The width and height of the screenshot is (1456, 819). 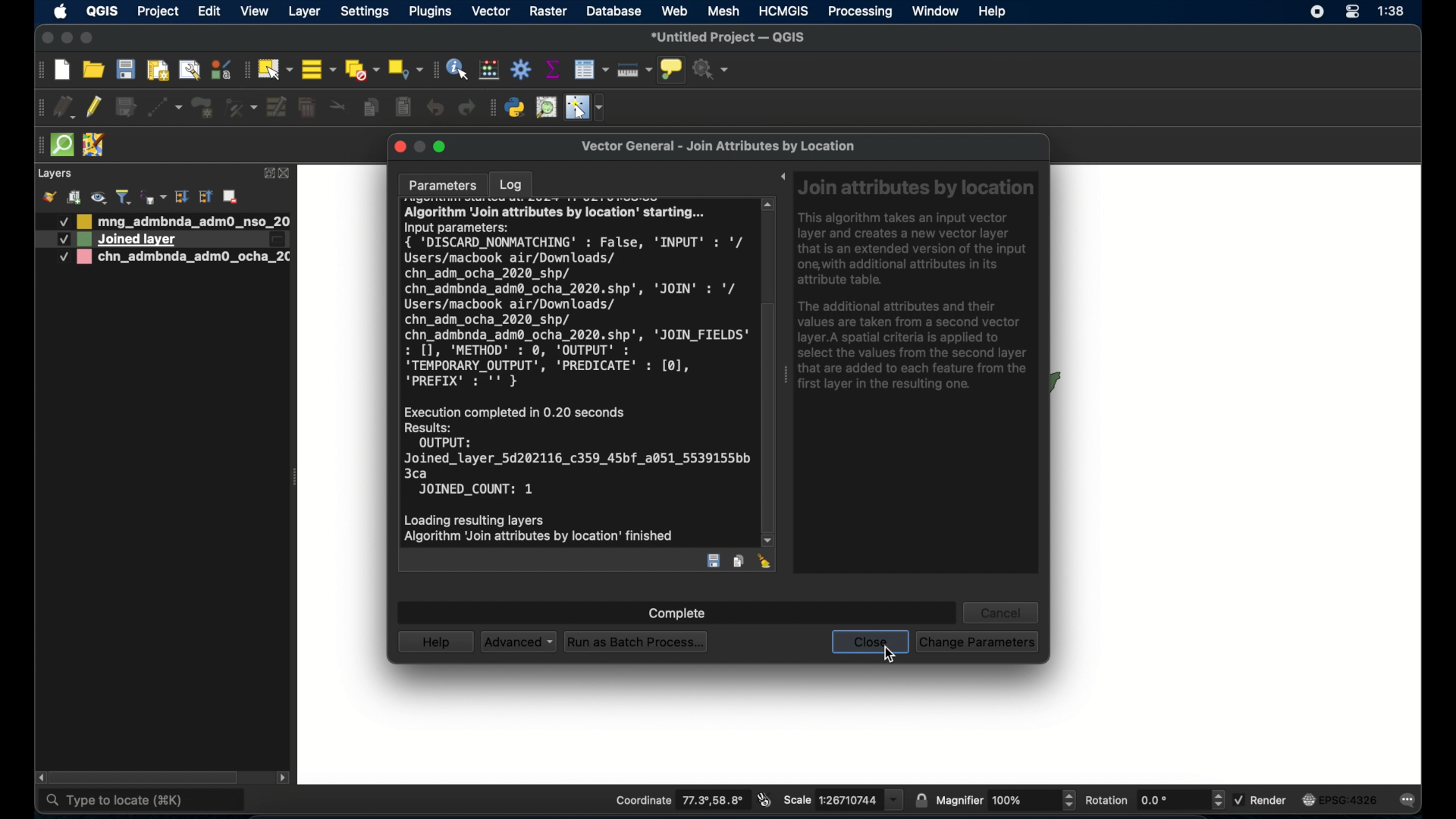 What do you see at coordinates (494, 12) in the screenshot?
I see `vector` at bounding box center [494, 12].